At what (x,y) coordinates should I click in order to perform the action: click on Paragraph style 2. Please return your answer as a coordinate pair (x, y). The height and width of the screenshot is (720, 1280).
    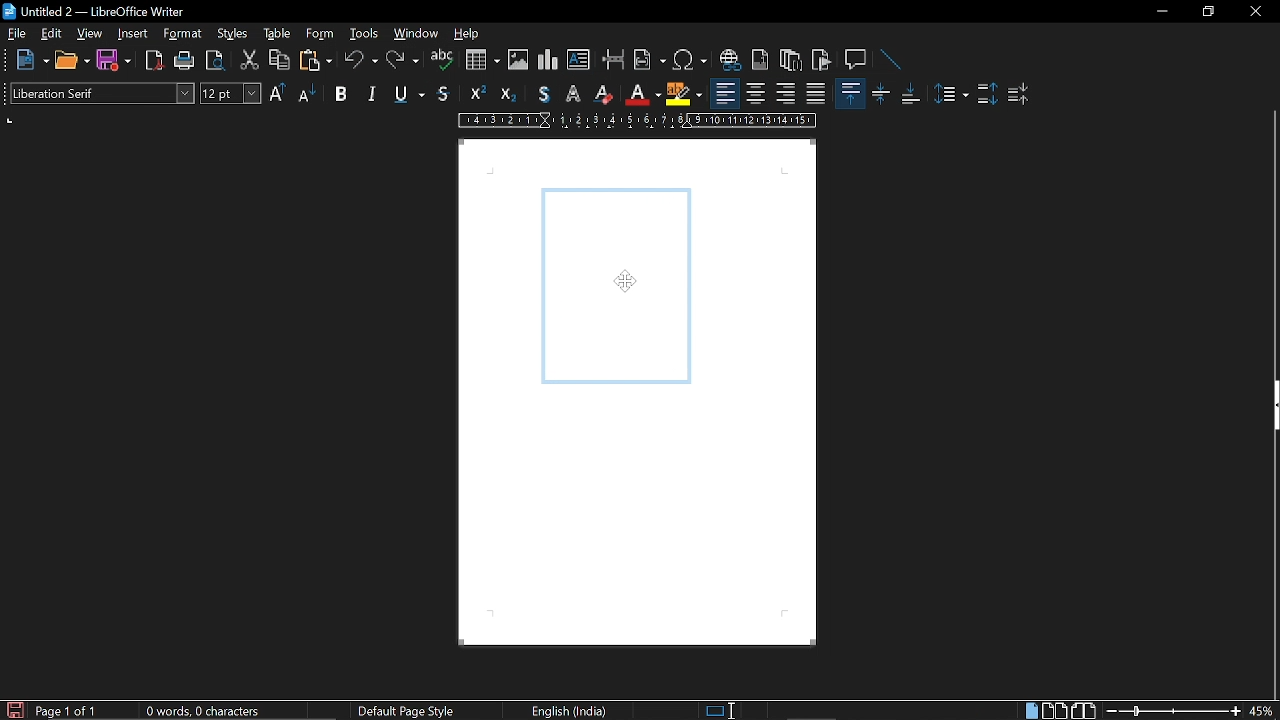
    Looking at the image, I should click on (1020, 95).